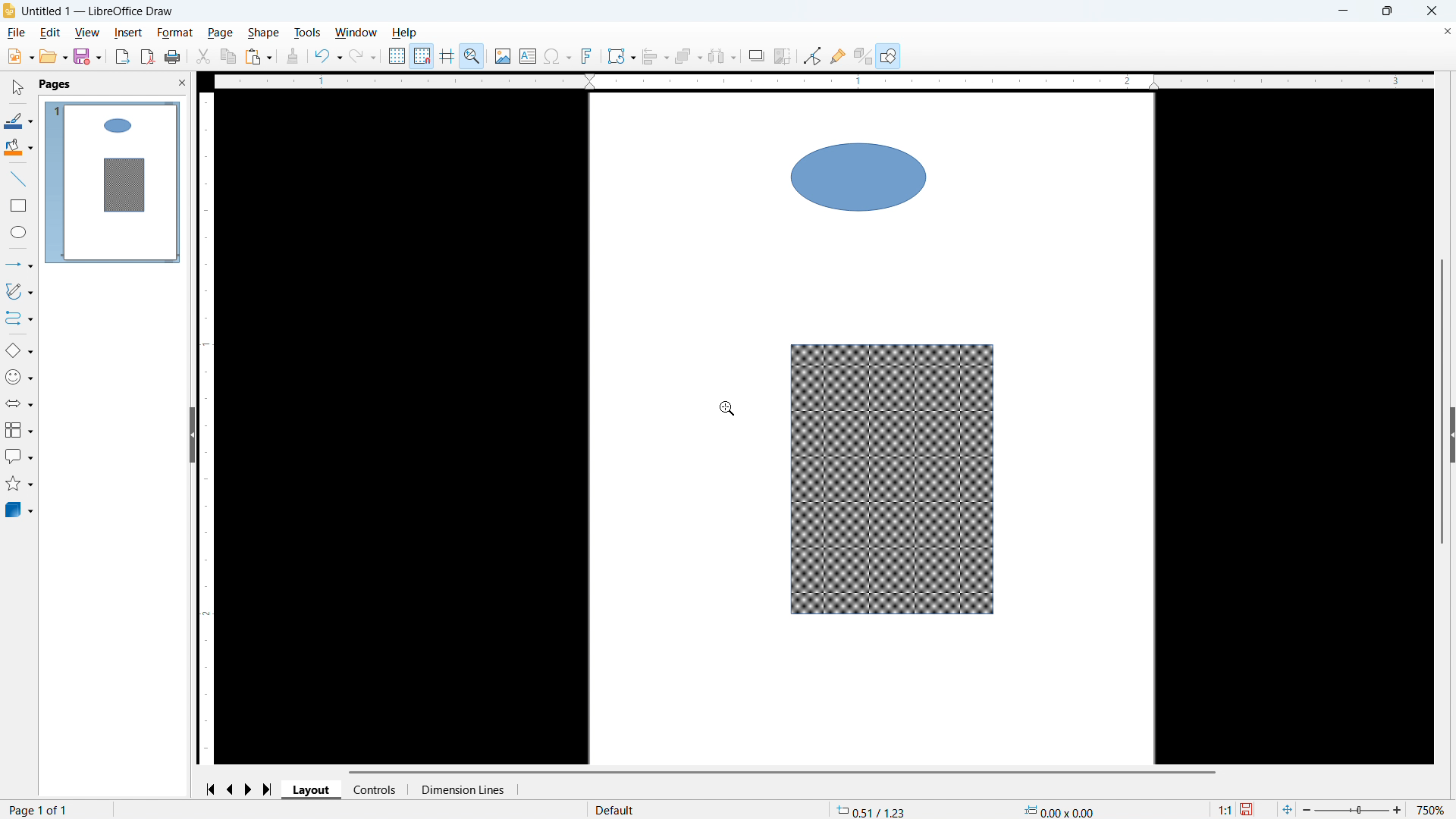  I want to click on Page display , so click(113, 182).